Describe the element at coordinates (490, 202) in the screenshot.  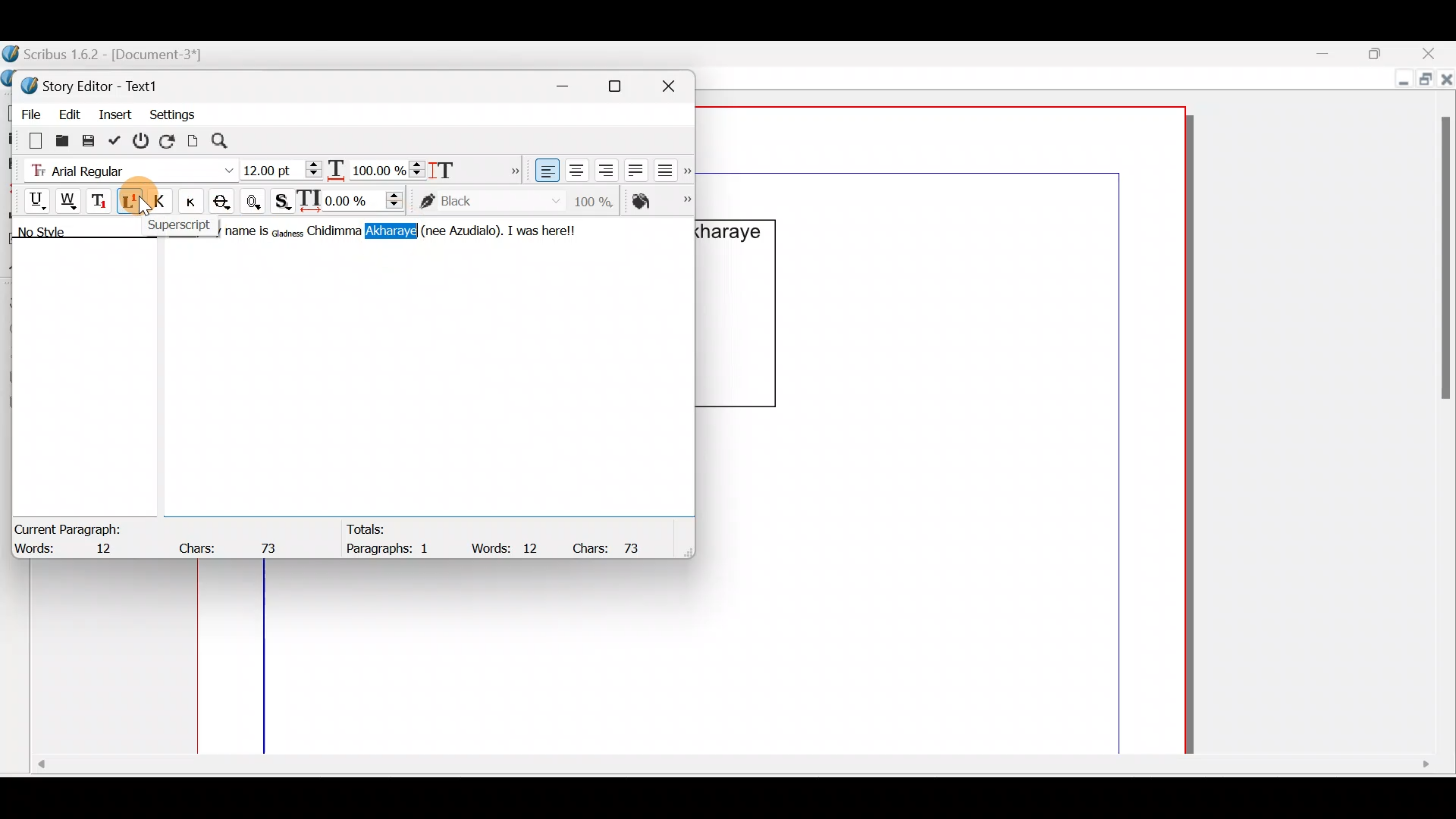
I see `color of text stroke` at that location.